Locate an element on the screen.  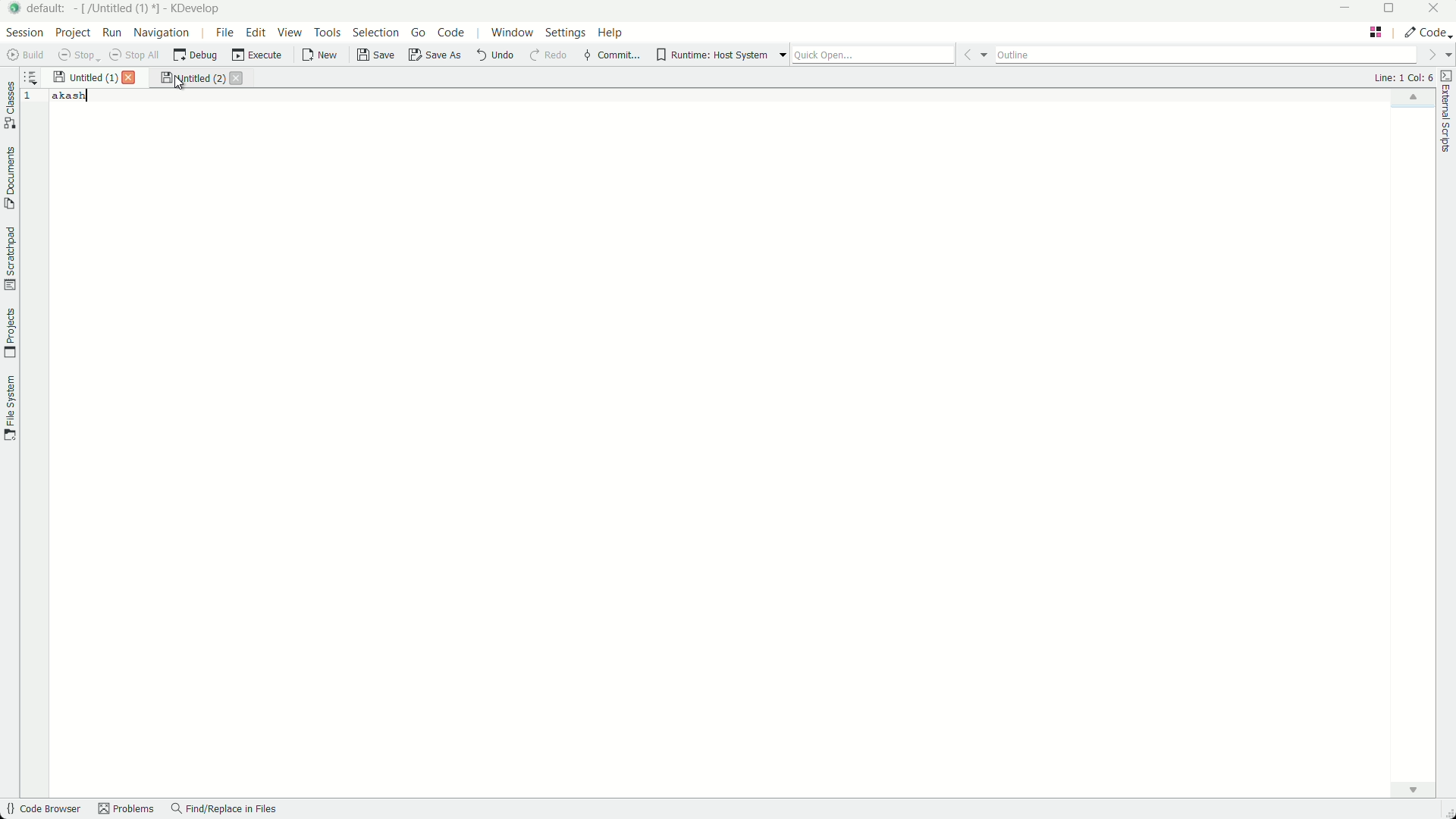
file menu is located at coordinates (224, 33).